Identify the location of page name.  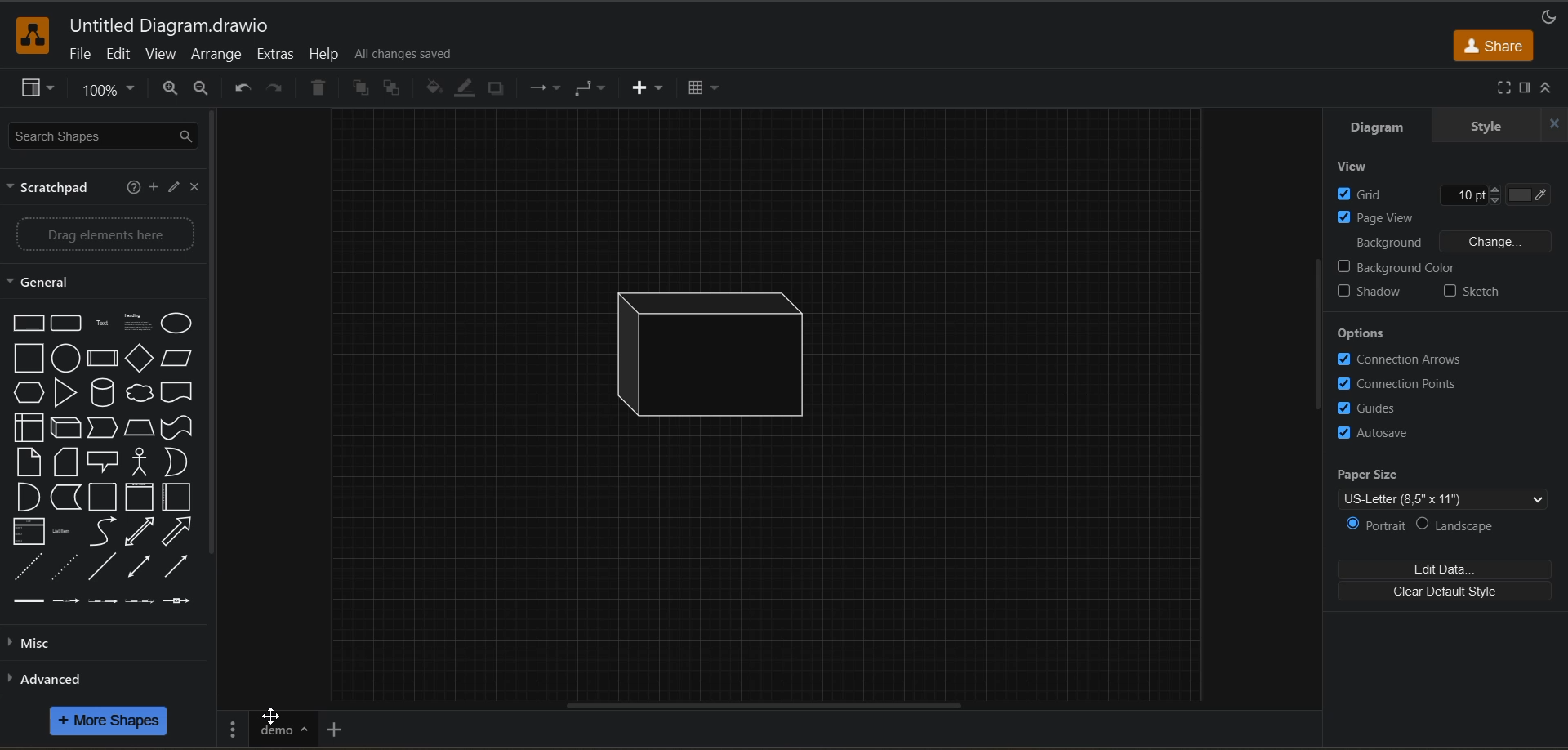
(283, 729).